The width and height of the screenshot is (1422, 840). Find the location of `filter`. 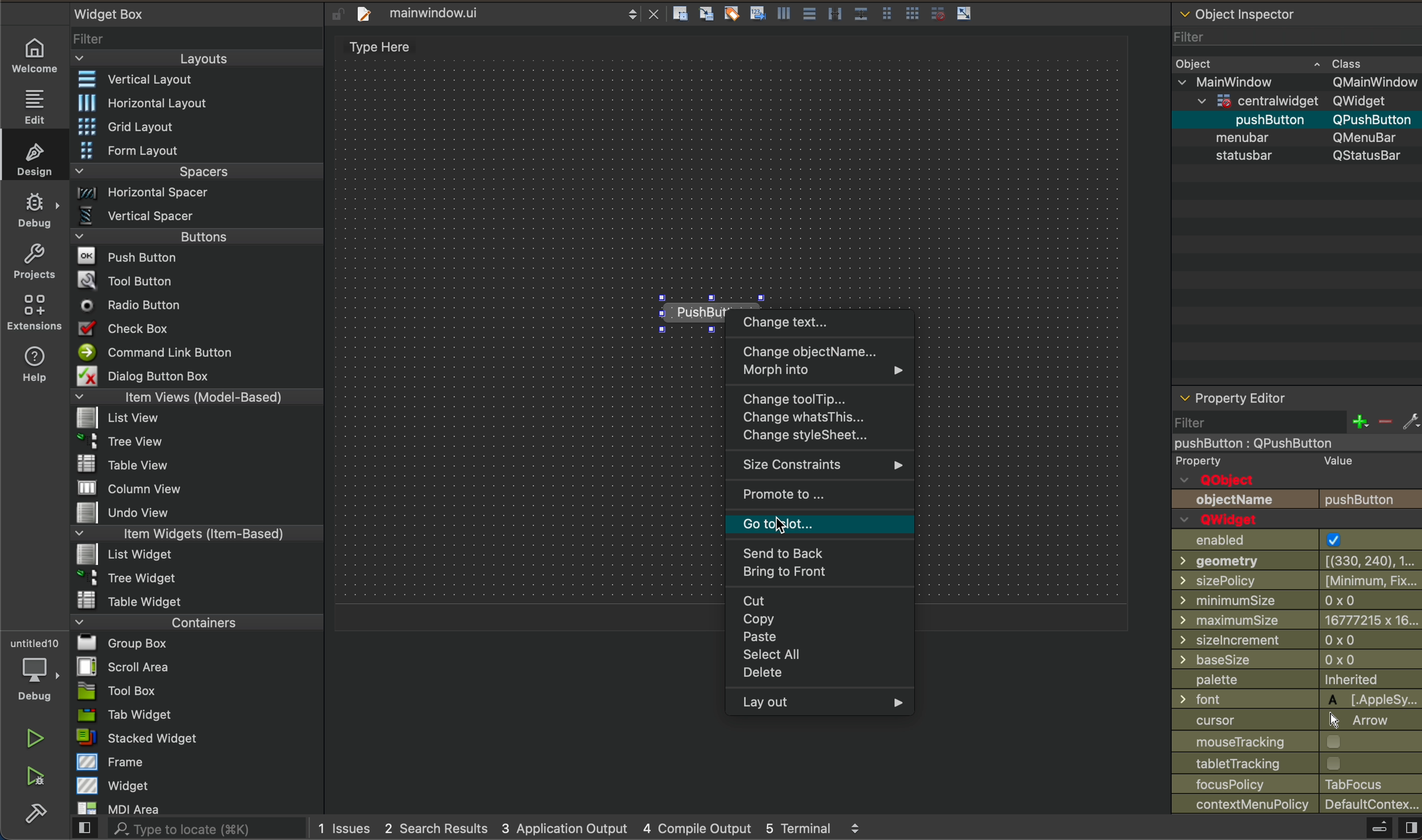

filter is located at coordinates (199, 38).